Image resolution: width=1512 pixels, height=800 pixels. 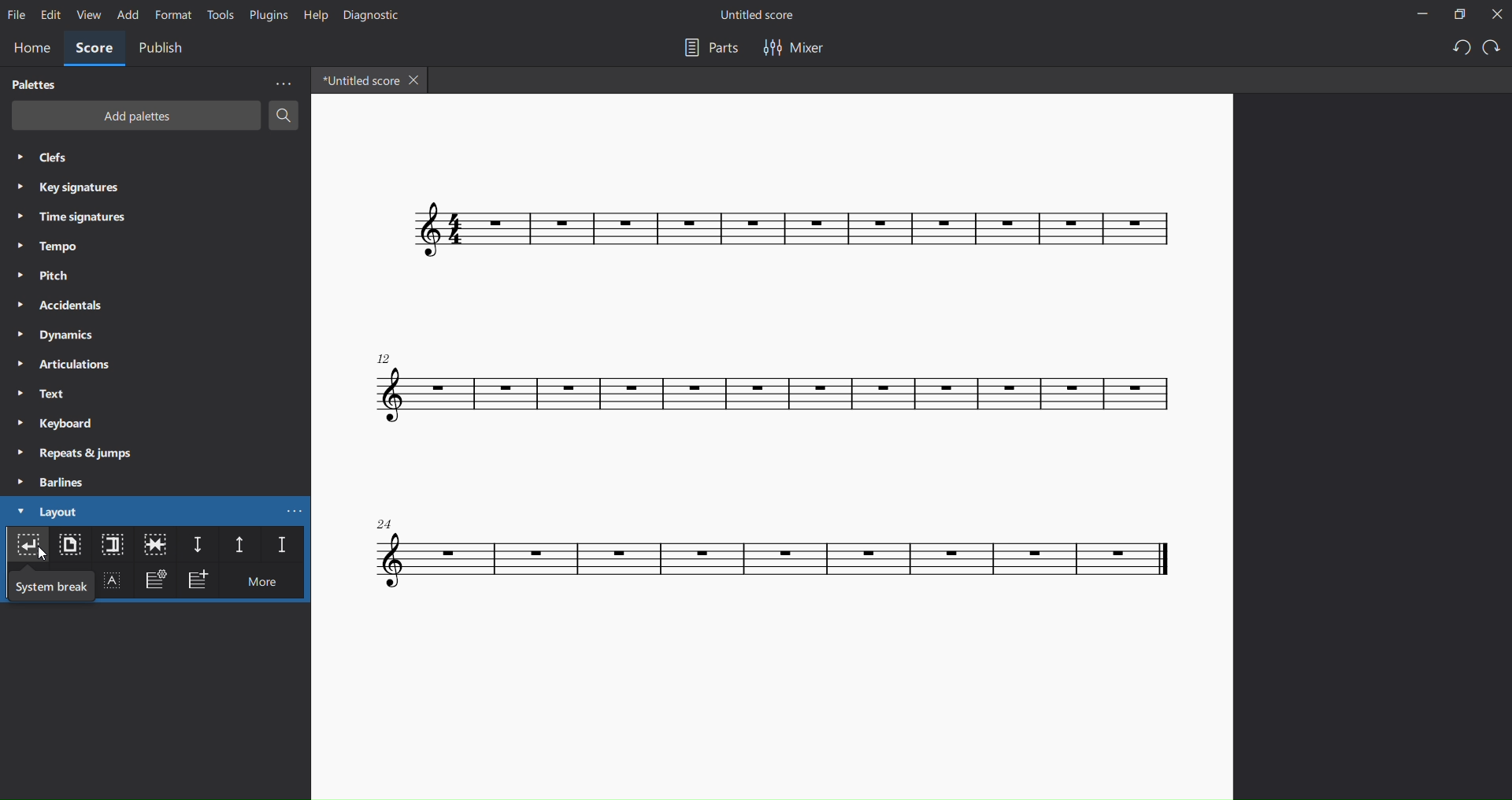 What do you see at coordinates (87, 17) in the screenshot?
I see `view` at bounding box center [87, 17].